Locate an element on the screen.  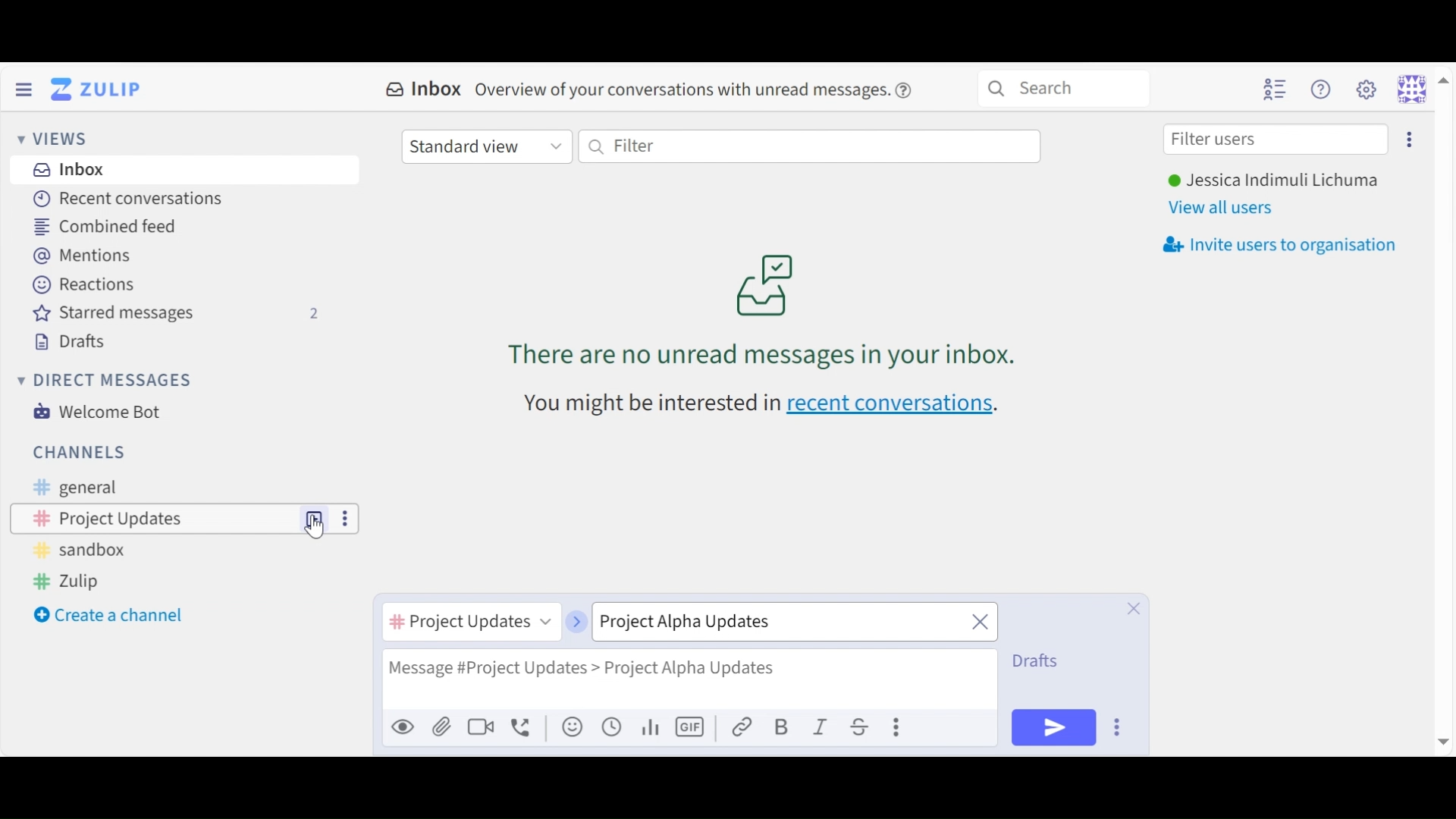
Views is located at coordinates (58, 139).